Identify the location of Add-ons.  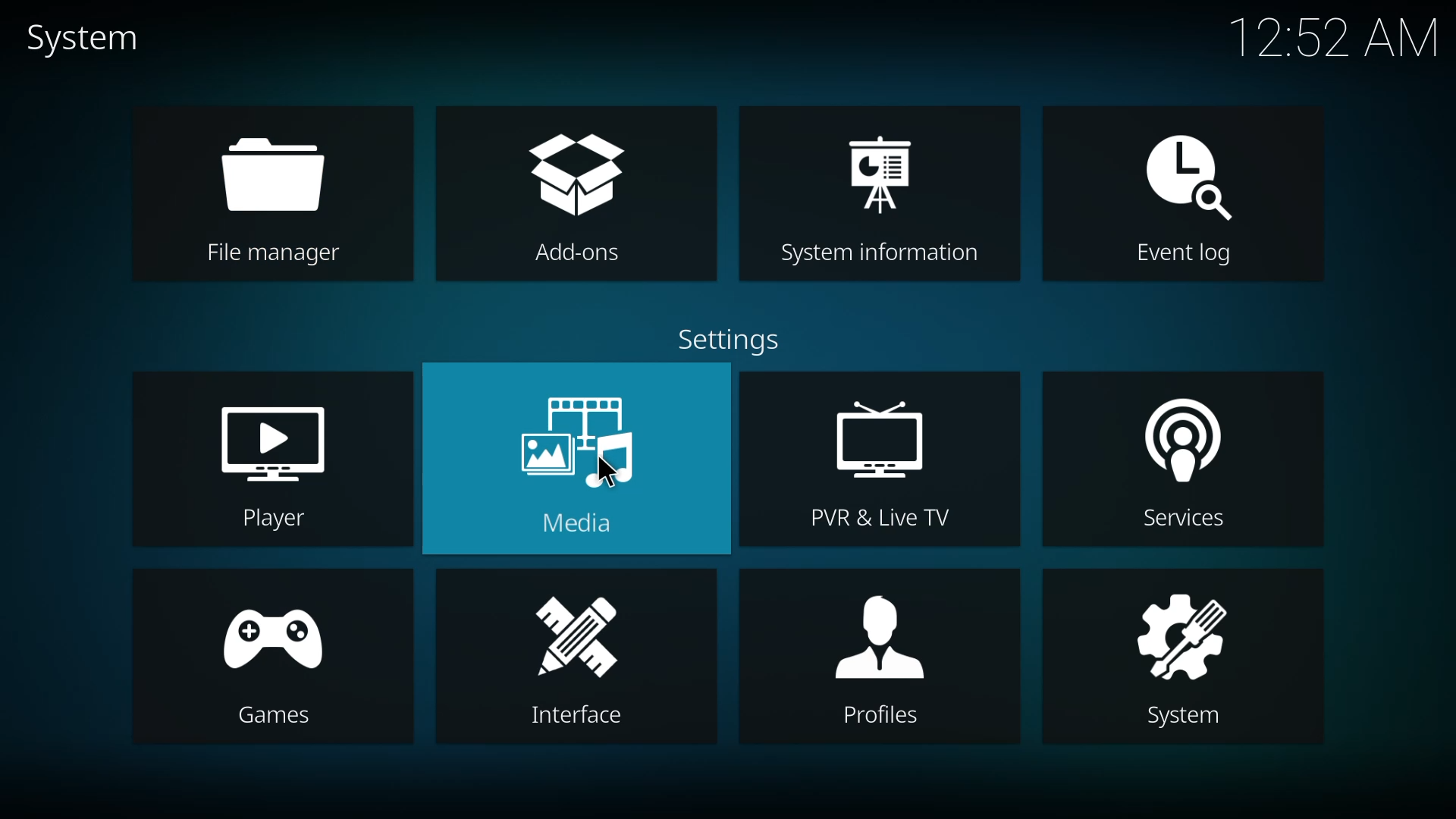
(580, 255).